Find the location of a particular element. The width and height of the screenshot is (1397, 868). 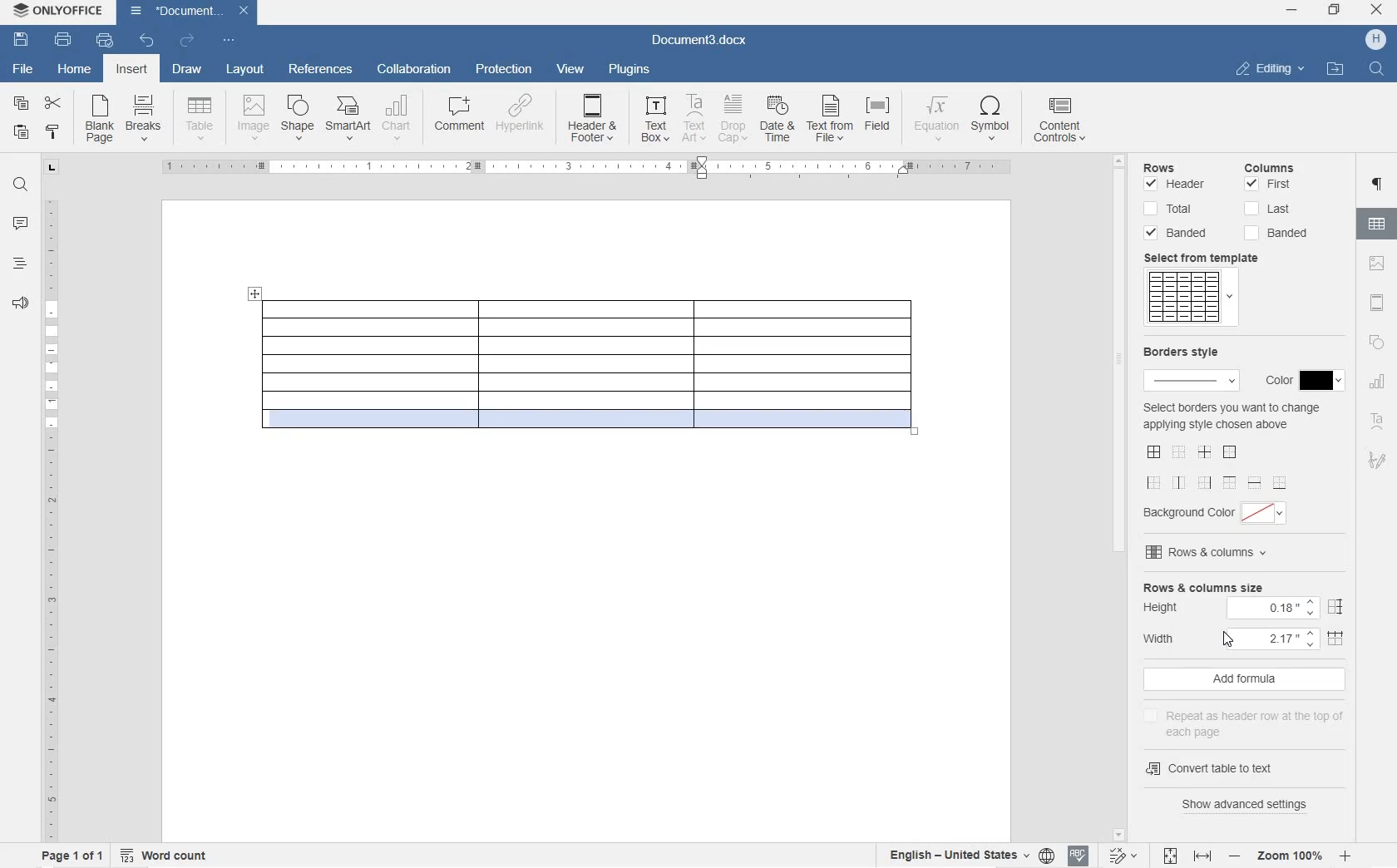

TEXT ART is located at coordinates (693, 119).